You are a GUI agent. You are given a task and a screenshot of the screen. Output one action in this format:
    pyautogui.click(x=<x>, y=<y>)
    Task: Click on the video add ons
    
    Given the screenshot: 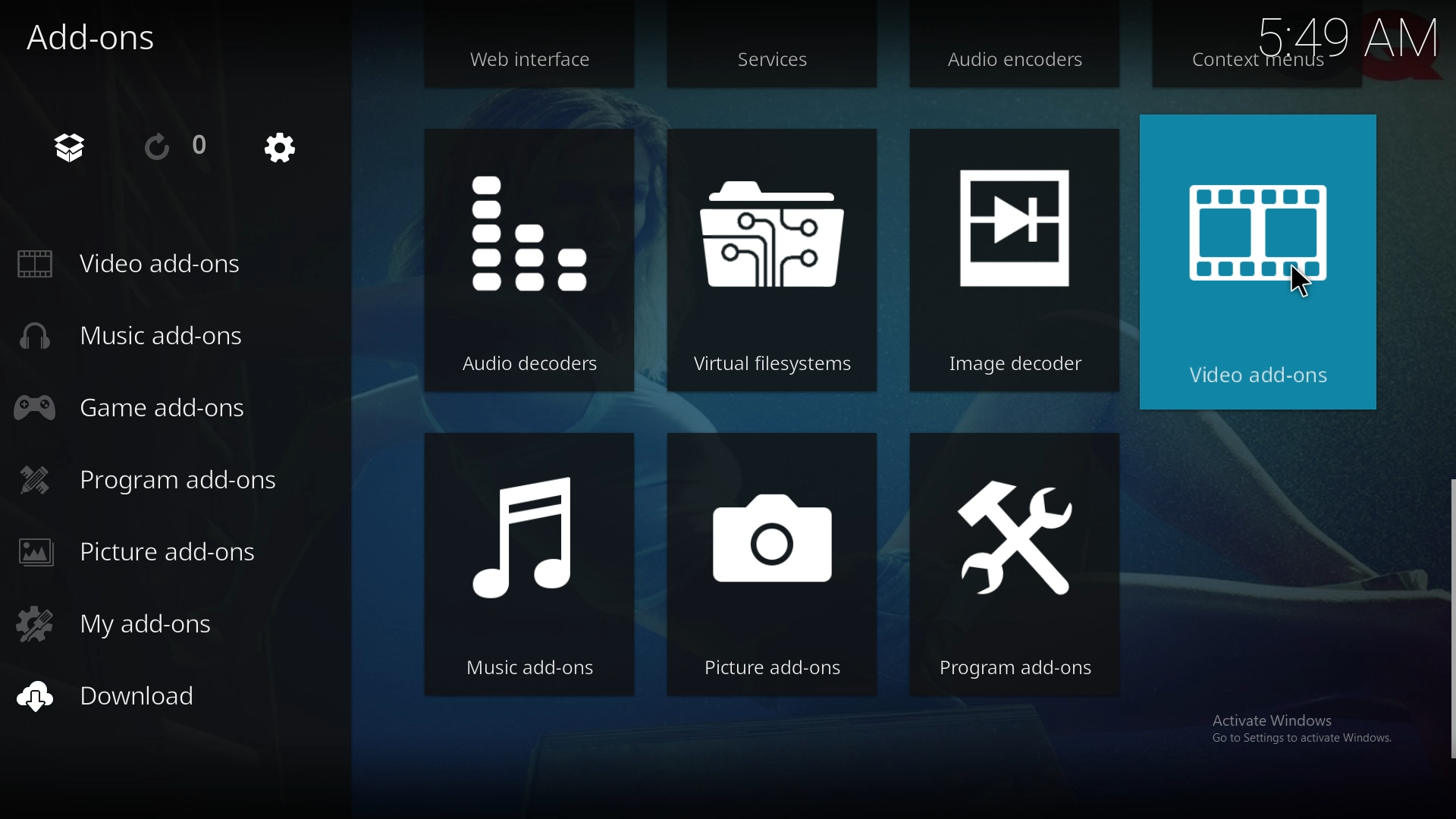 What is the action you would take?
    pyautogui.click(x=147, y=264)
    